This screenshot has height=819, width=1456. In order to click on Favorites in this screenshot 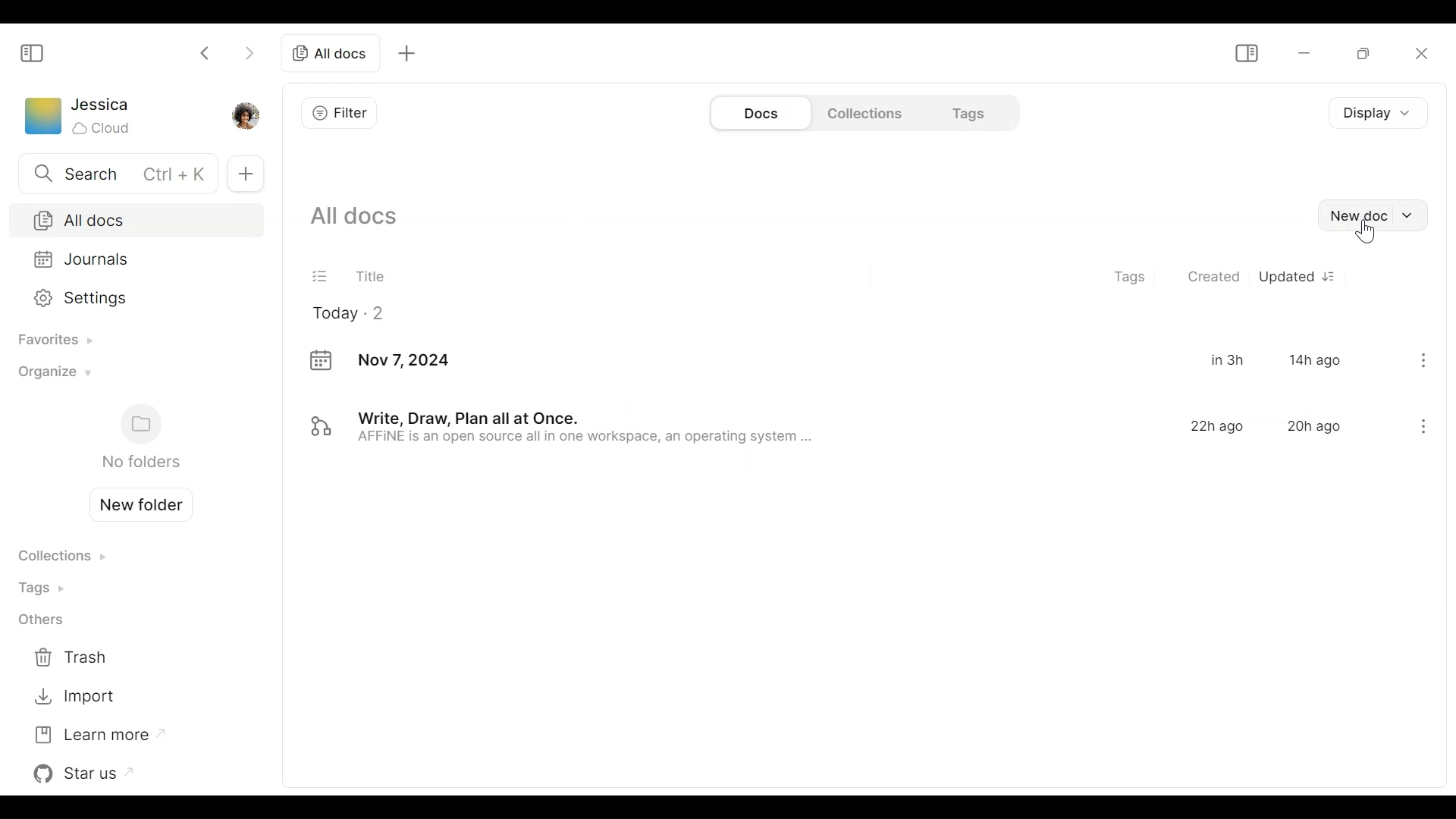, I will do `click(50, 341)`.